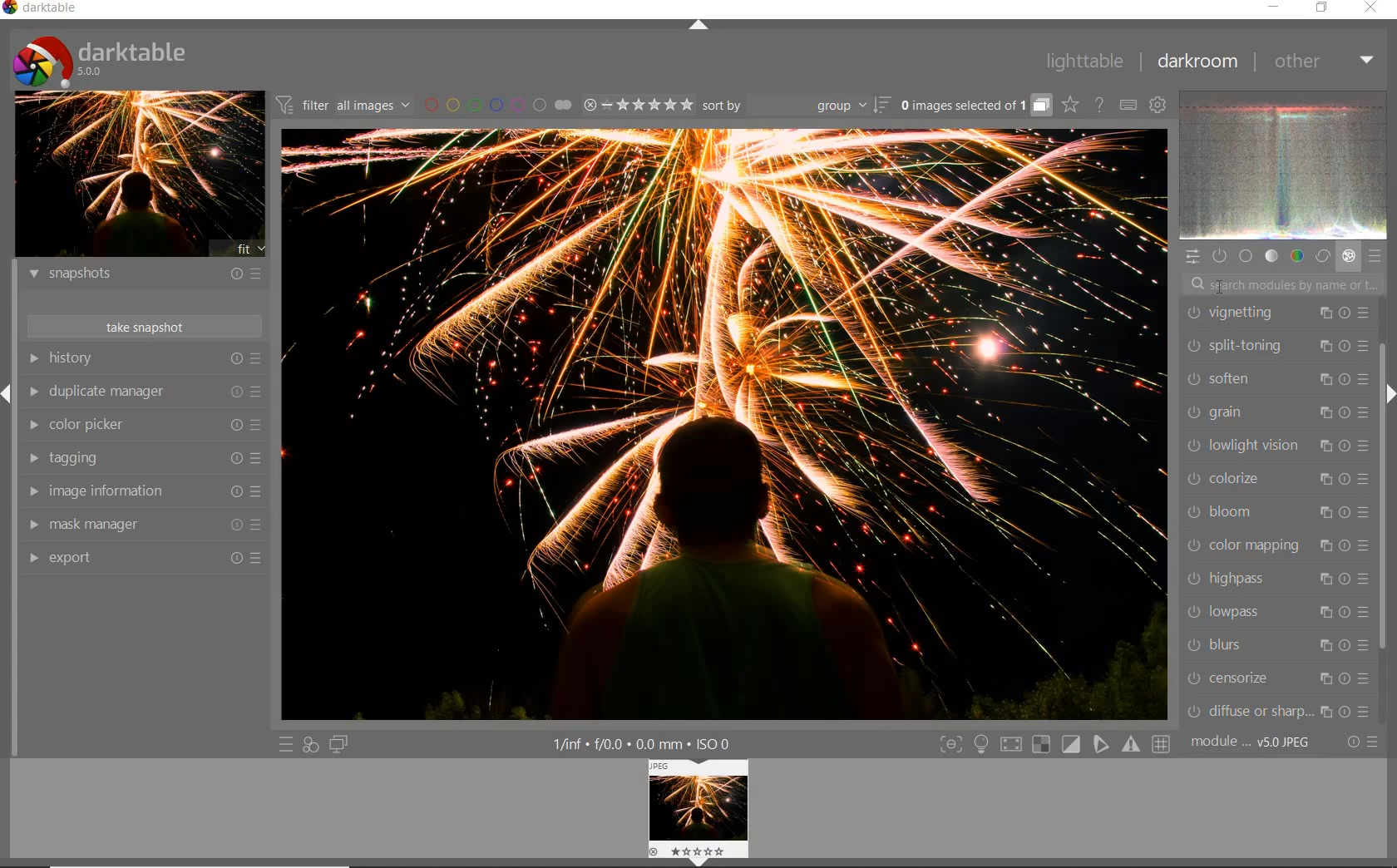 The width and height of the screenshot is (1397, 868). I want to click on filter images by color labels, so click(496, 105).